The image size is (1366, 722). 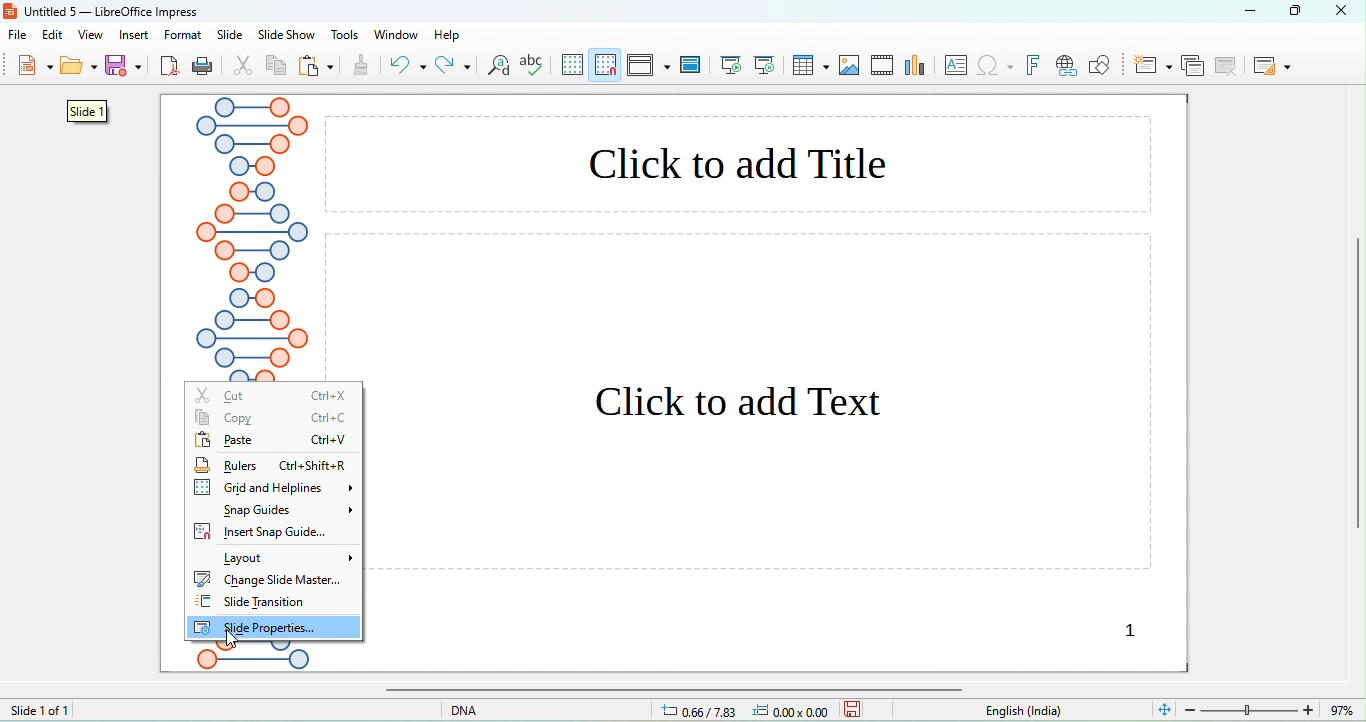 I want to click on minimize, so click(x=1250, y=10).